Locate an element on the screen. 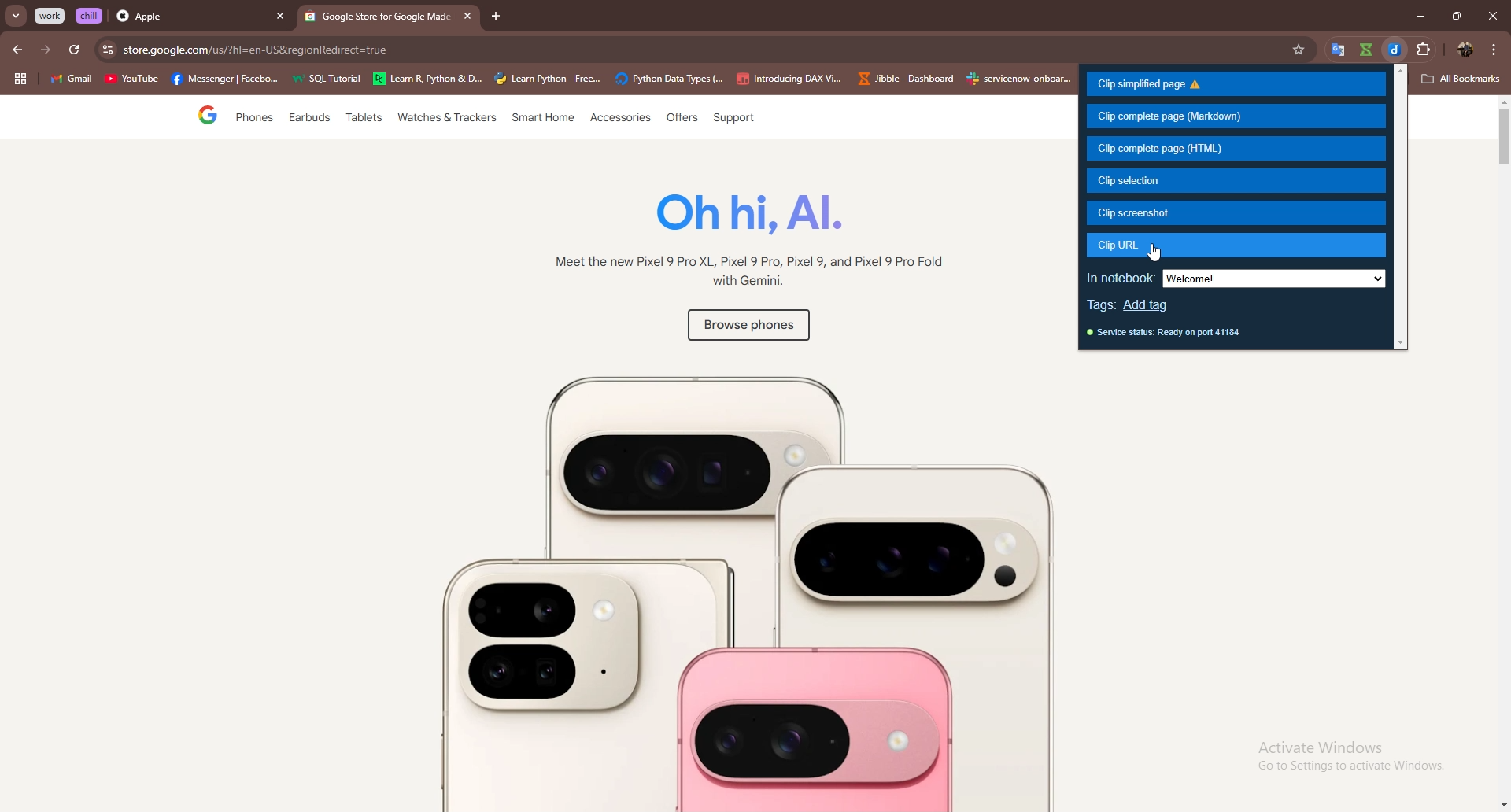 The width and height of the screenshot is (1511, 812). refresh is located at coordinates (74, 50).